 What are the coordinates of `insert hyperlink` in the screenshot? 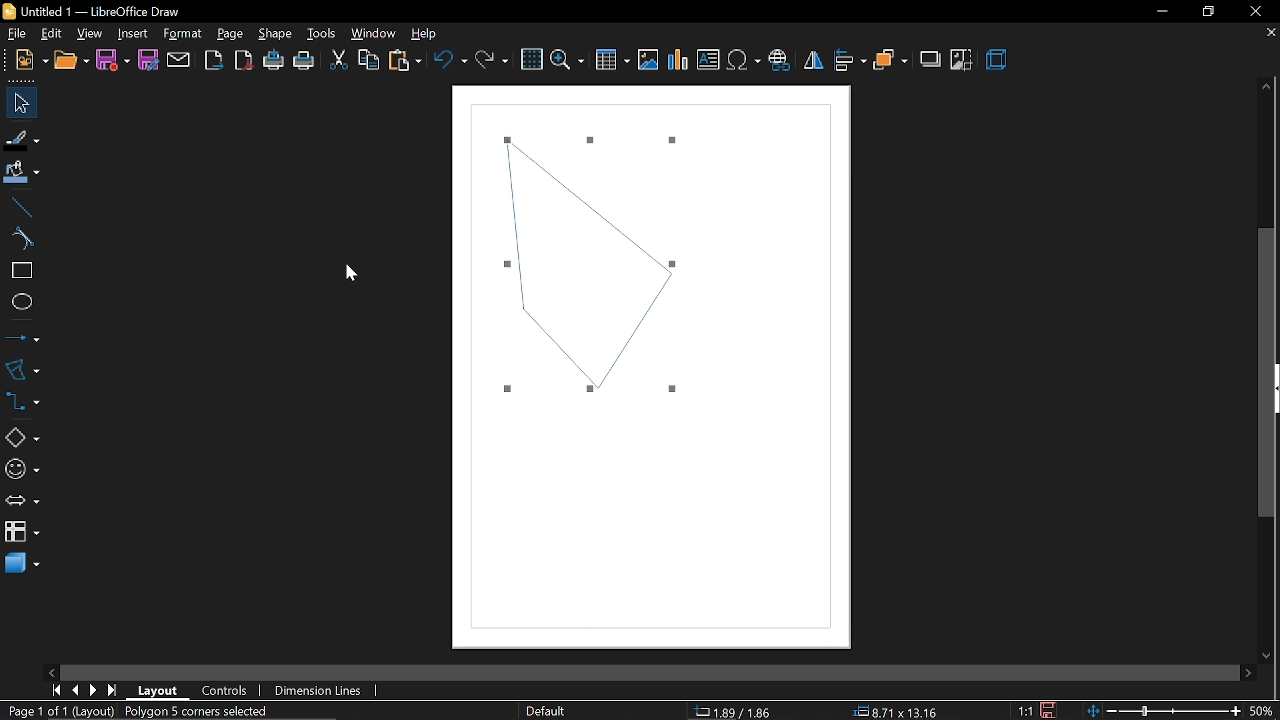 It's located at (782, 58).